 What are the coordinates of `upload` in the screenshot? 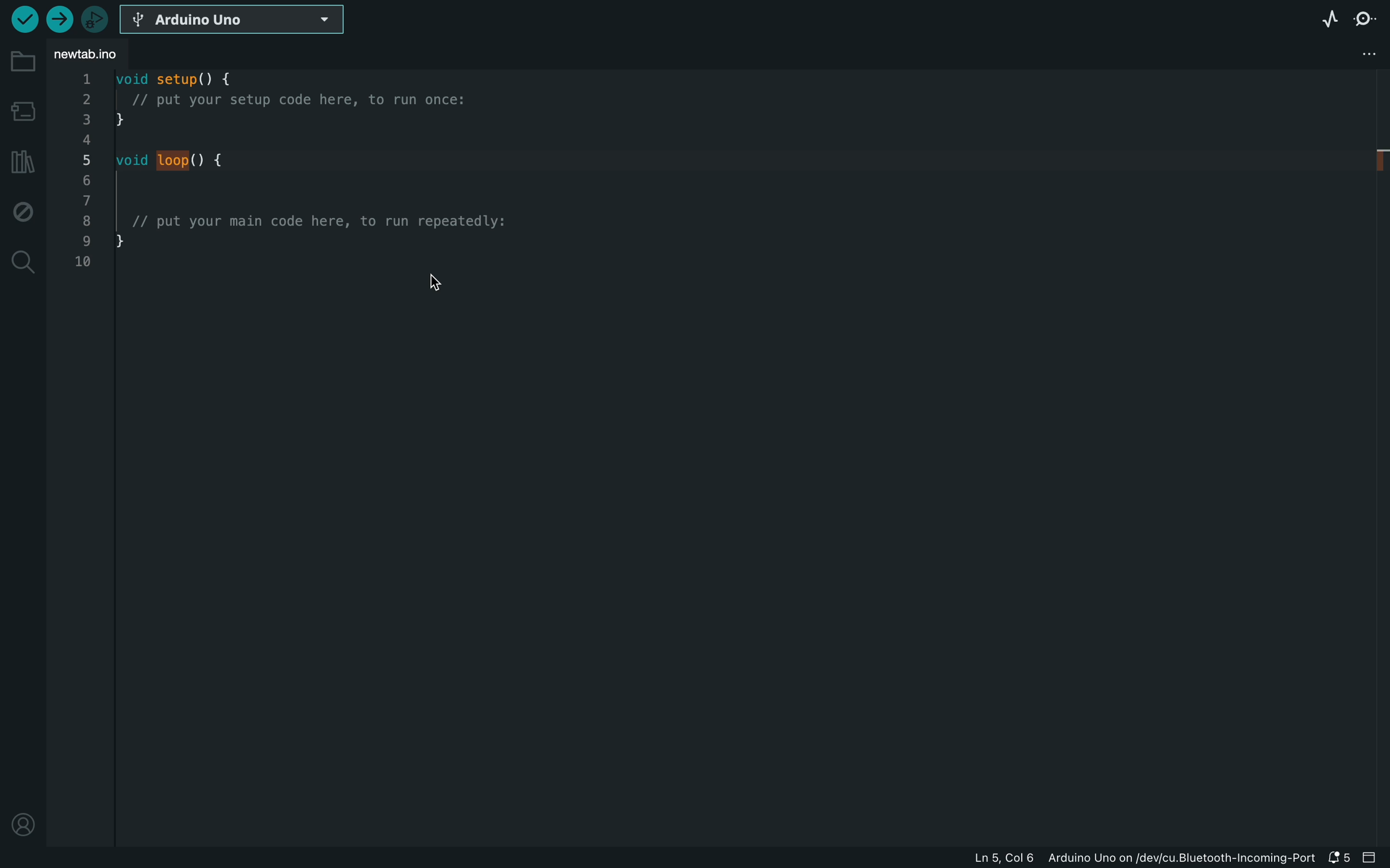 It's located at (57, 19).